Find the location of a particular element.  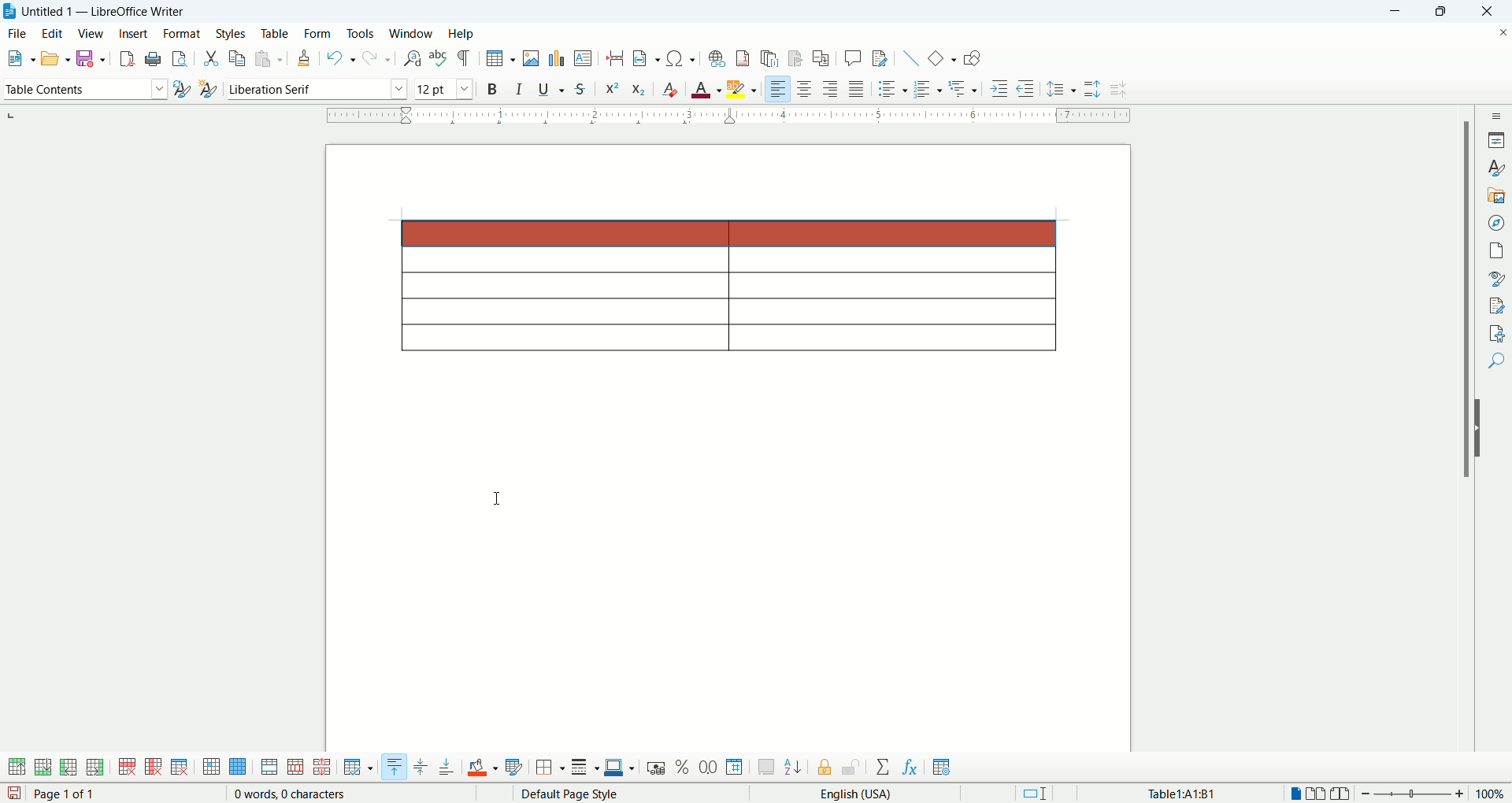

insert bookmark is located at coordinates (796, 59).